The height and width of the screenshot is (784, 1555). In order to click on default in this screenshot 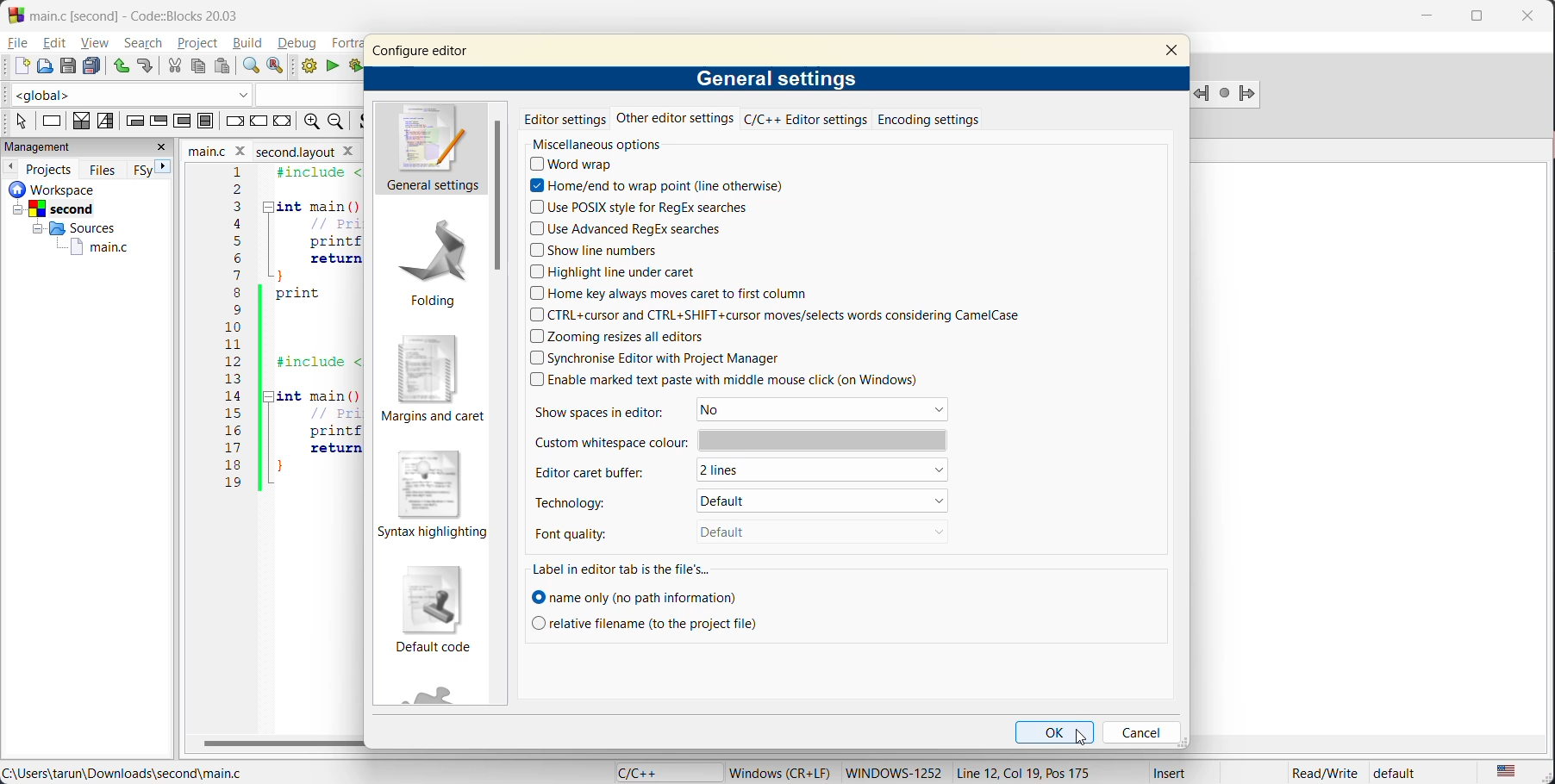, I will do `click(1405, 773)`.